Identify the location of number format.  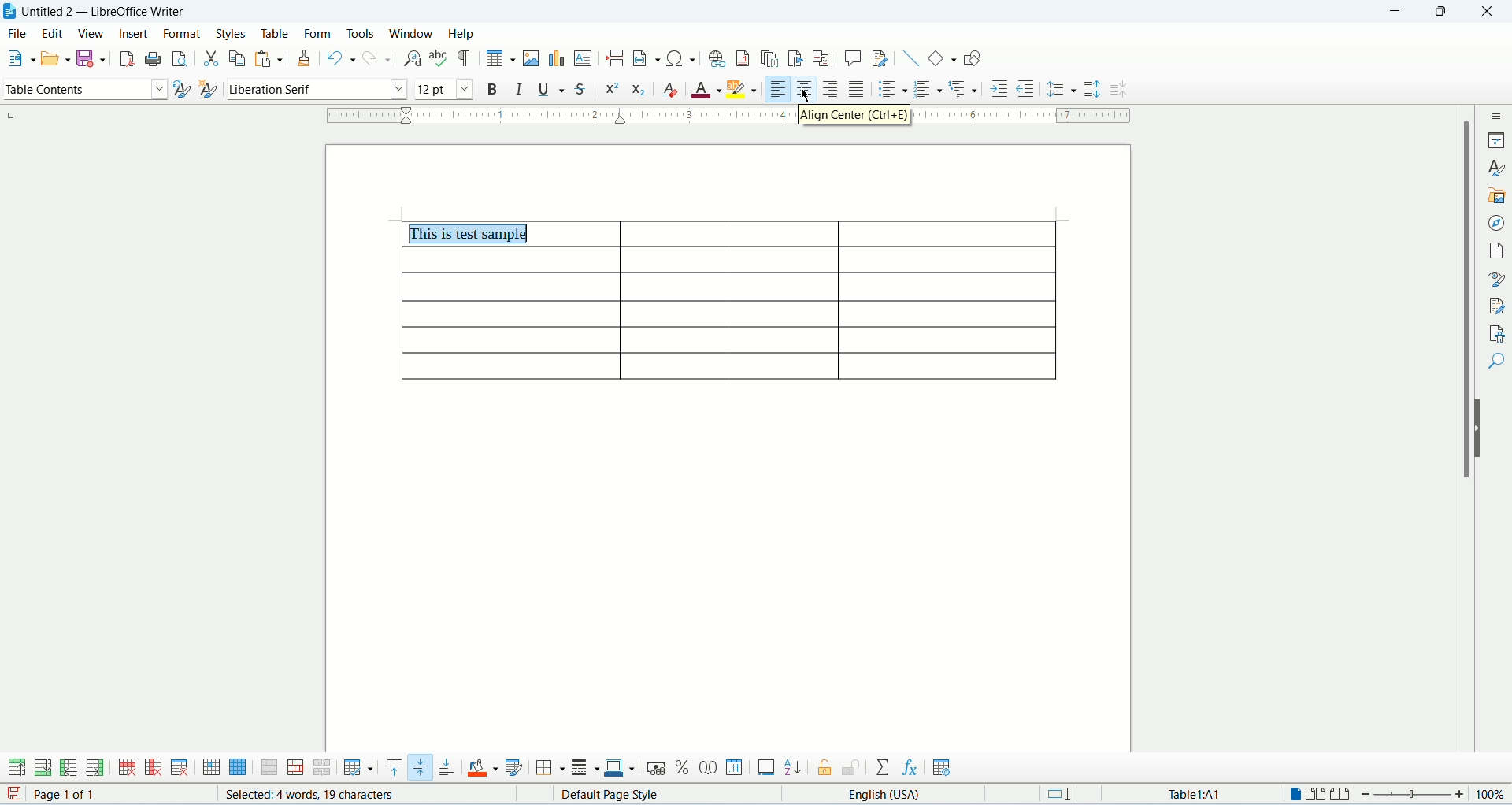
(736, 768).